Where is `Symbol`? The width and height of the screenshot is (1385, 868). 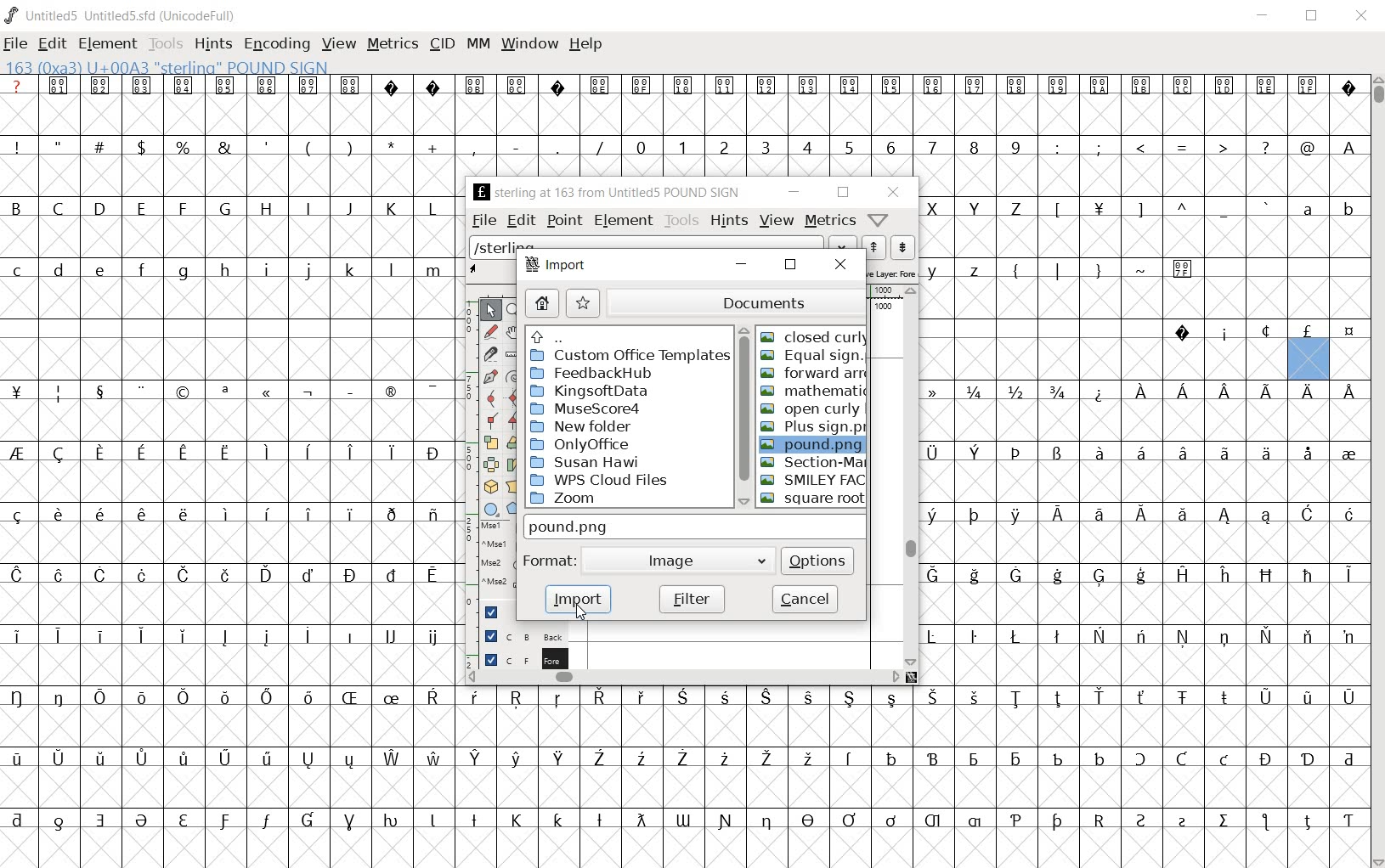 Symbol is located at coordinates (1267, 635).